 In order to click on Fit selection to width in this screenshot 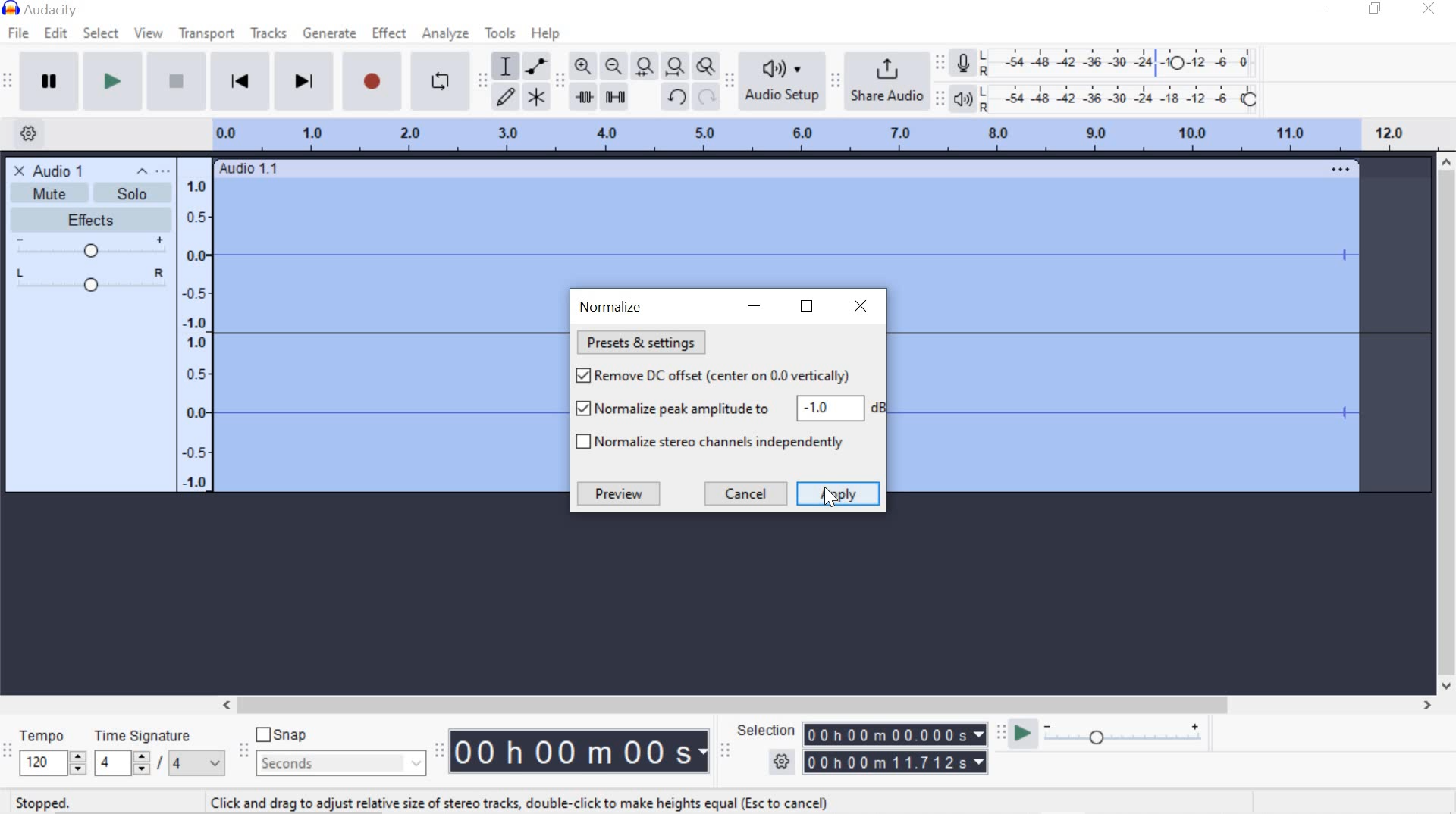, I will do `click(645, 66)`.